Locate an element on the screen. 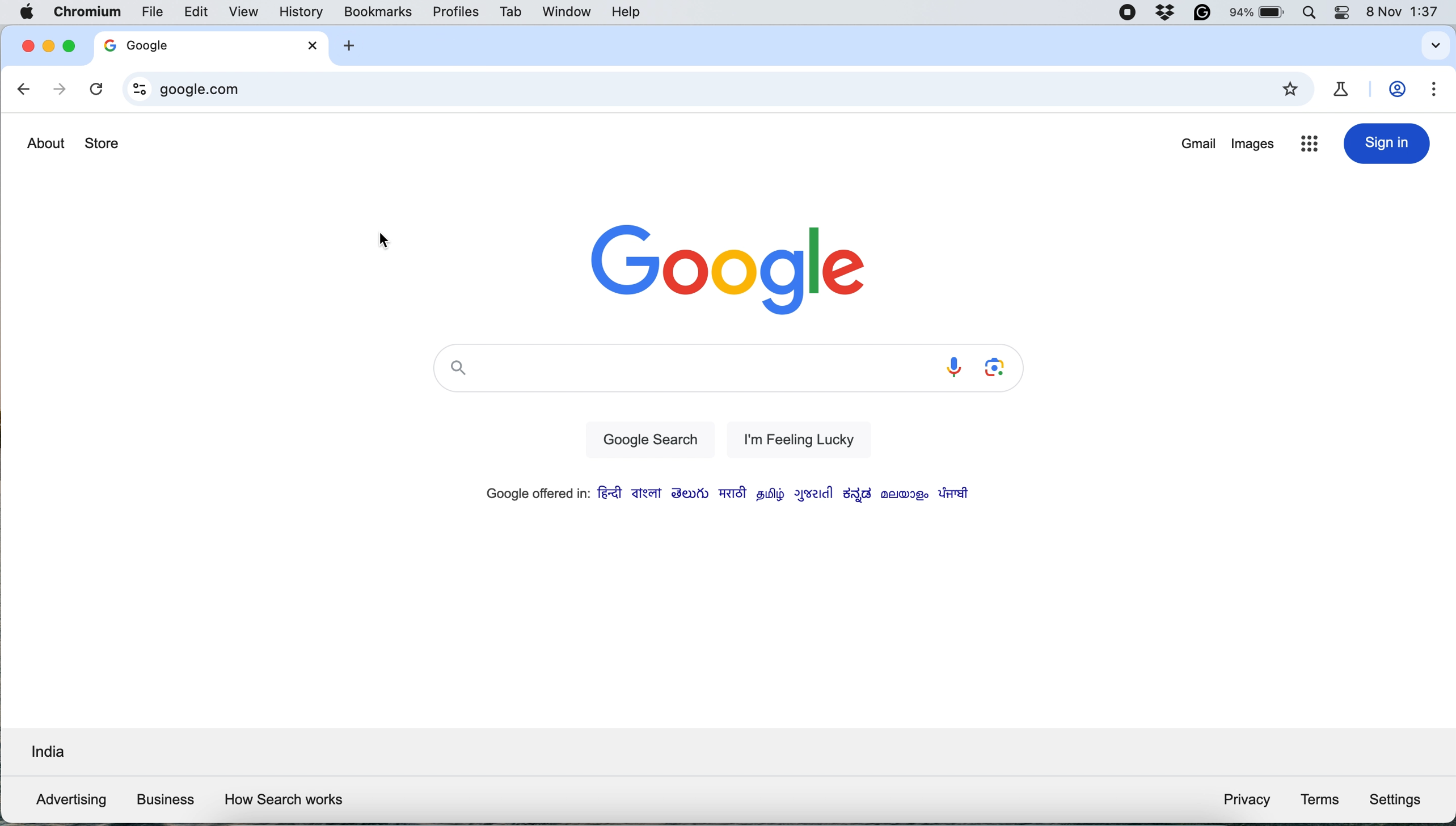 The image size is (1456, 826). view is located at coordinates (249, 11).